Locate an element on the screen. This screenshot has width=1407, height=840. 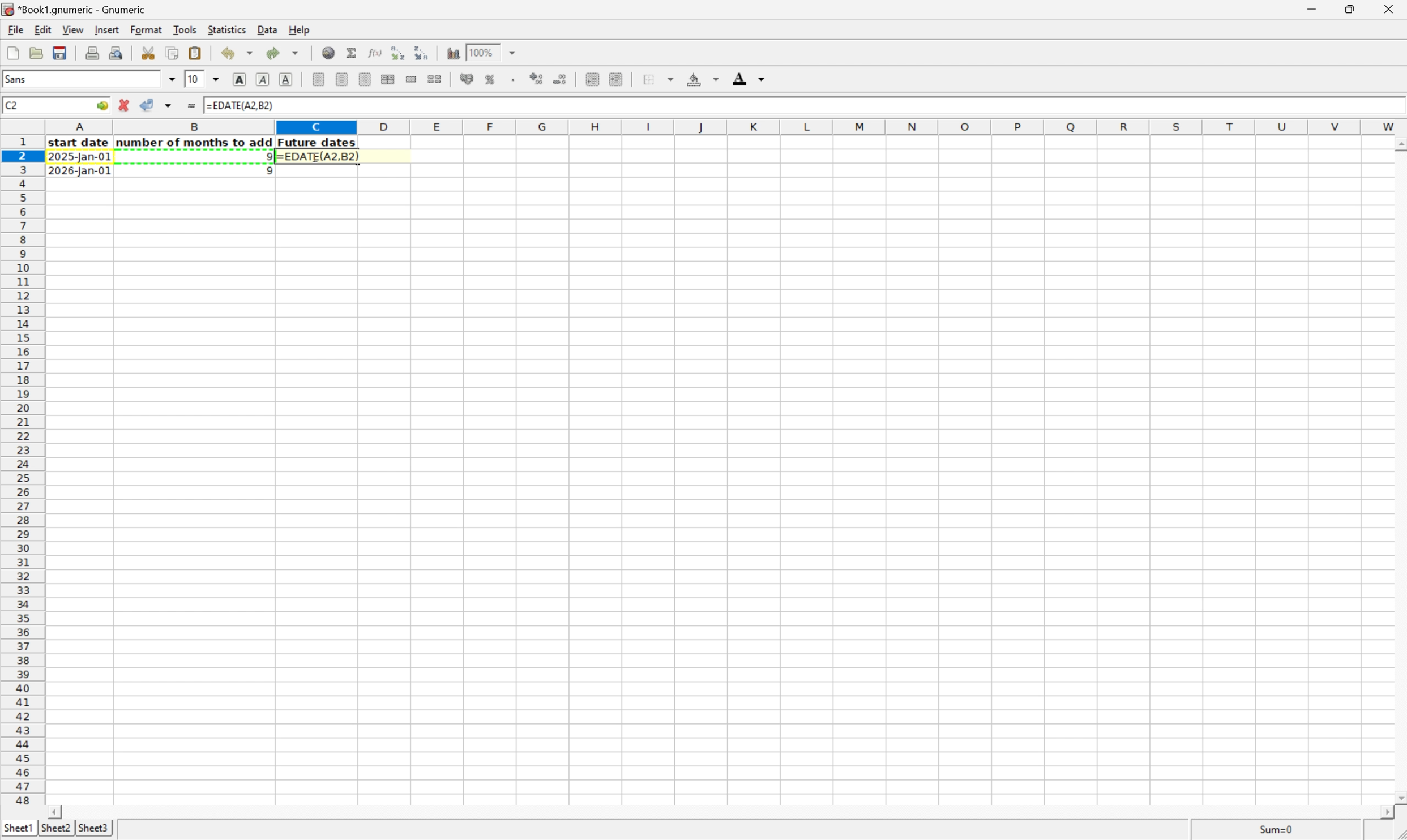
Increase the number of decimals displayed is located at coordinates (537, 80).